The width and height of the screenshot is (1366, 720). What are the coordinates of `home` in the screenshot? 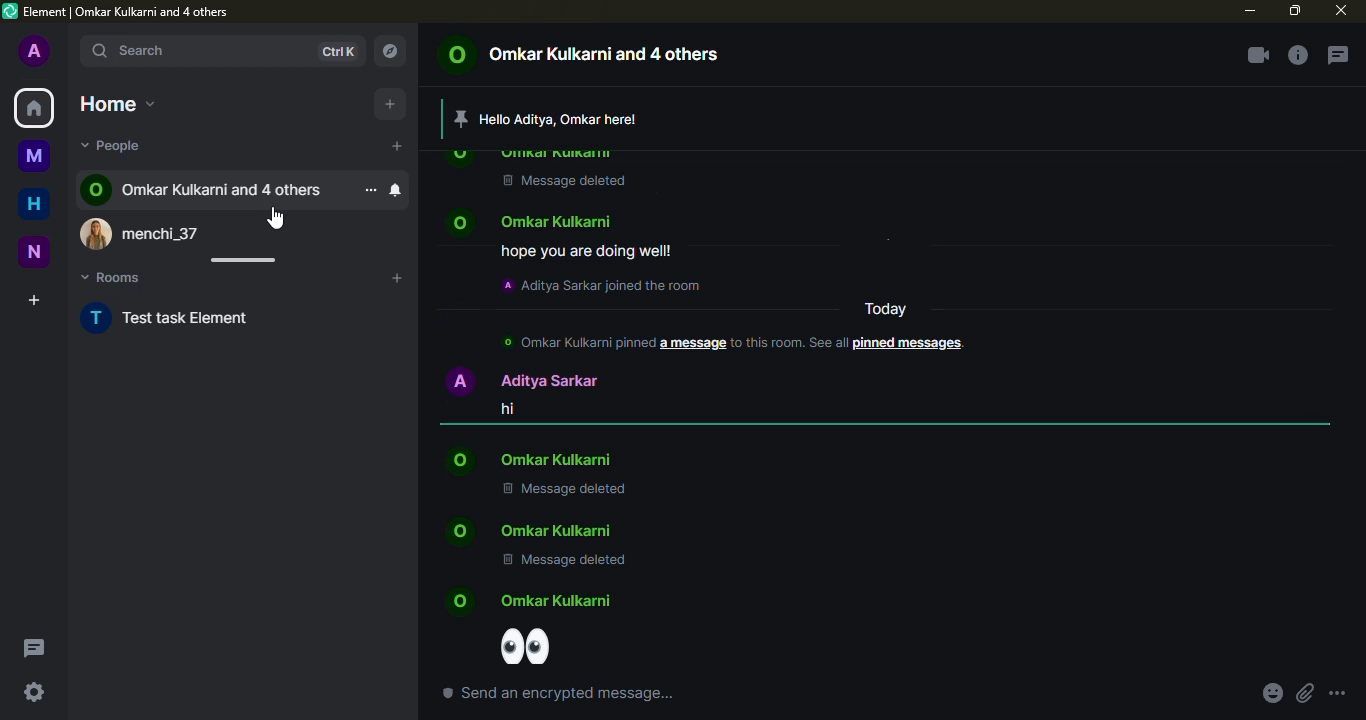 It's located at (33, 204).